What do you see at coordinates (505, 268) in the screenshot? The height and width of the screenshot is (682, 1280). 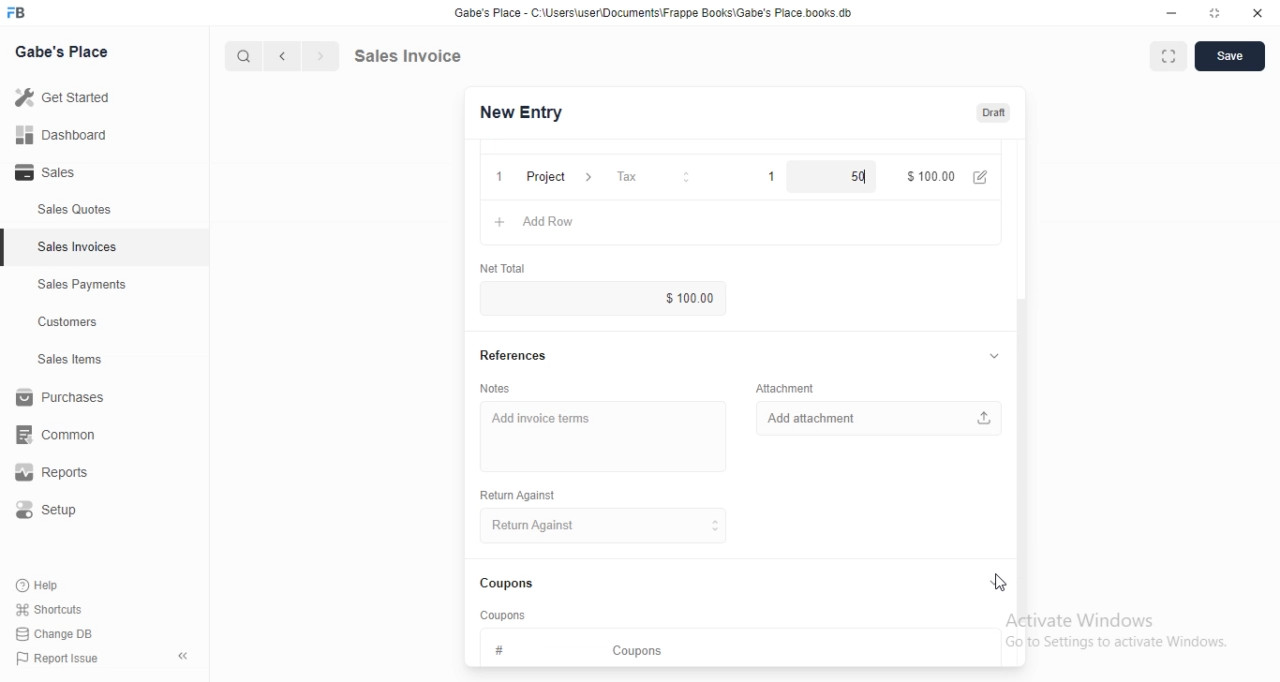 I see `‘Net Total` at bounding box center [505, 268].